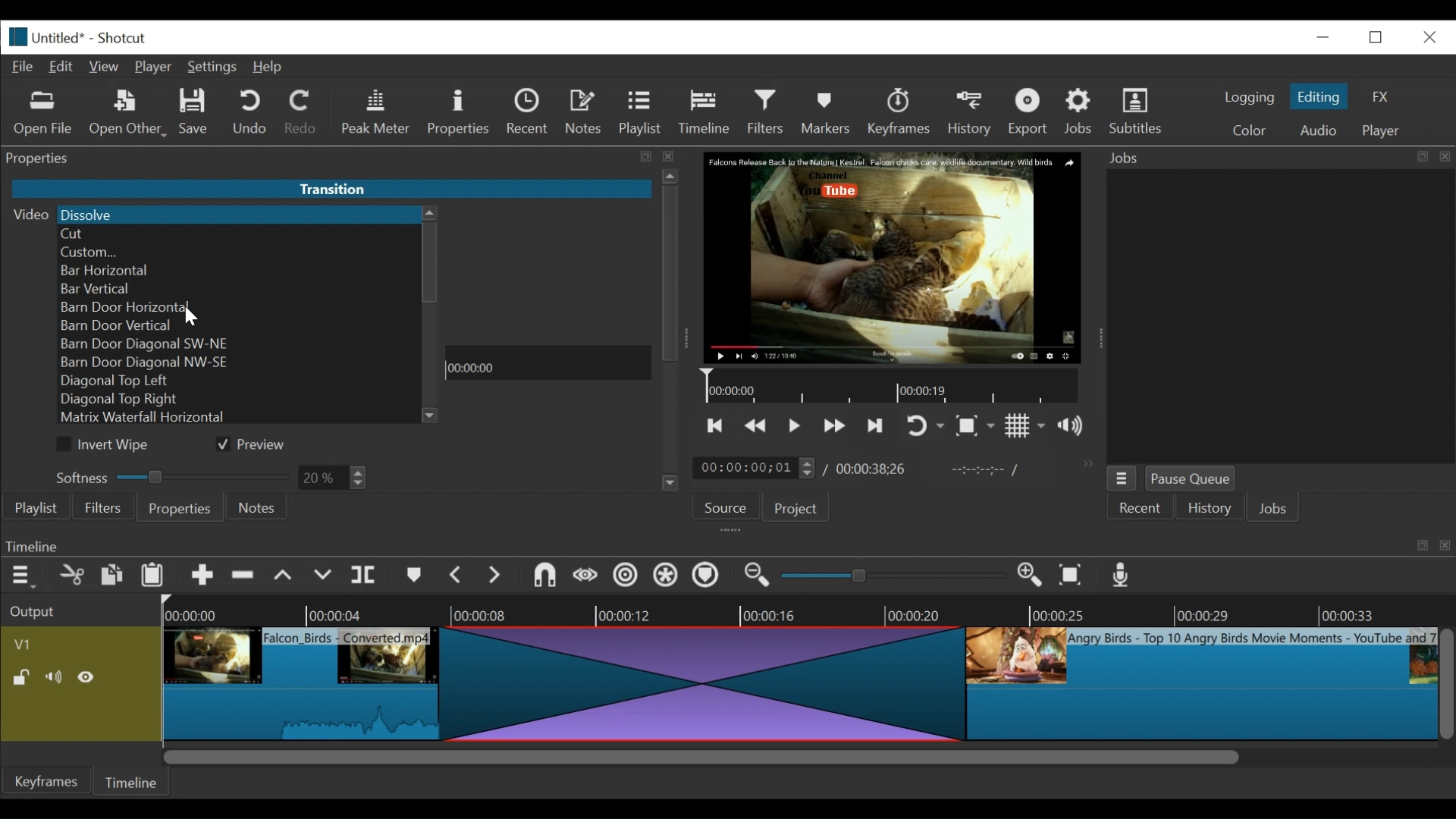  What do you see at coordinates (1031, 114) in the screenshot?
I see `Export` at bounding box center [1031, 114].